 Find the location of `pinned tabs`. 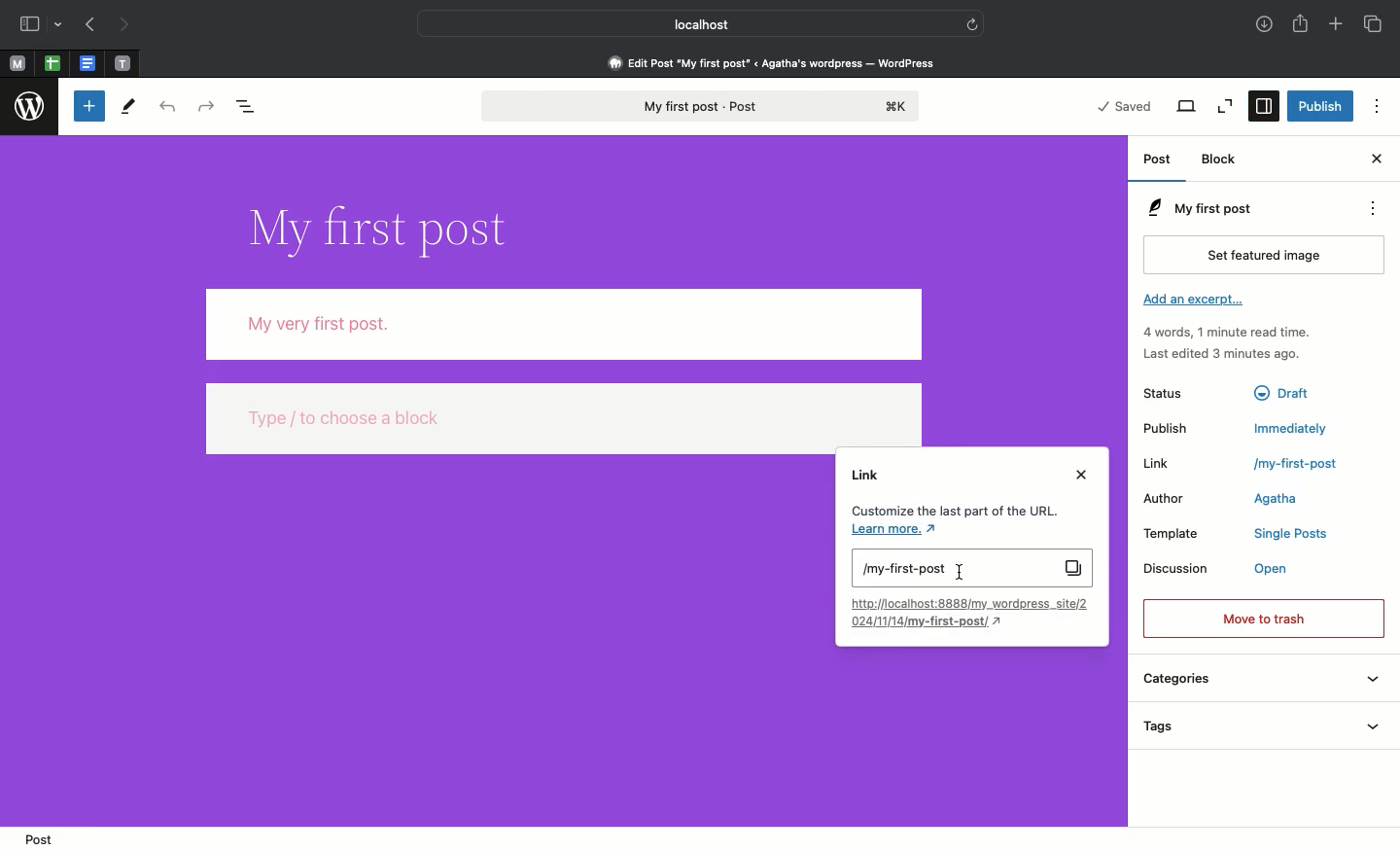

pinned tabs is located at coordinates (87, 64).